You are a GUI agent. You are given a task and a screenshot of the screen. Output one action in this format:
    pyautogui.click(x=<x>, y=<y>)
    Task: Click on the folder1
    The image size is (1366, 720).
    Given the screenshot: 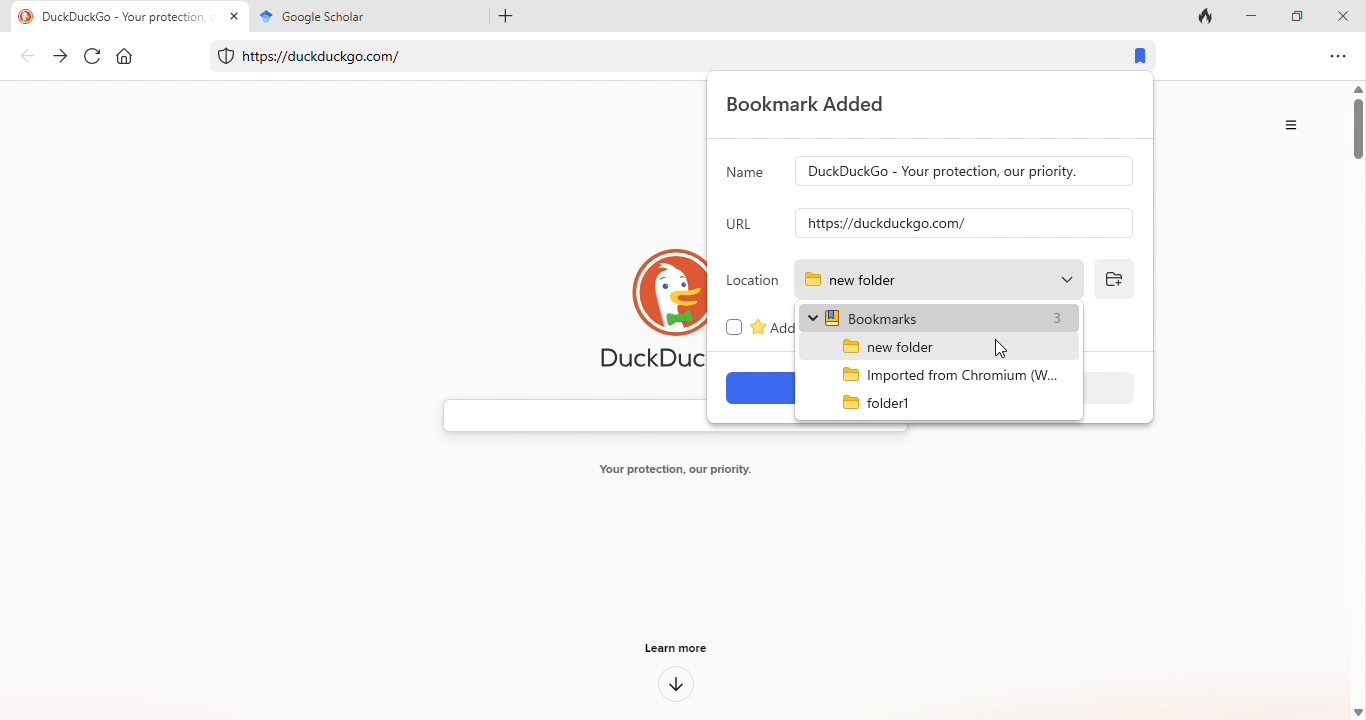 What is the action you would take?
    pyautogui.click(x=886, y=404)
    